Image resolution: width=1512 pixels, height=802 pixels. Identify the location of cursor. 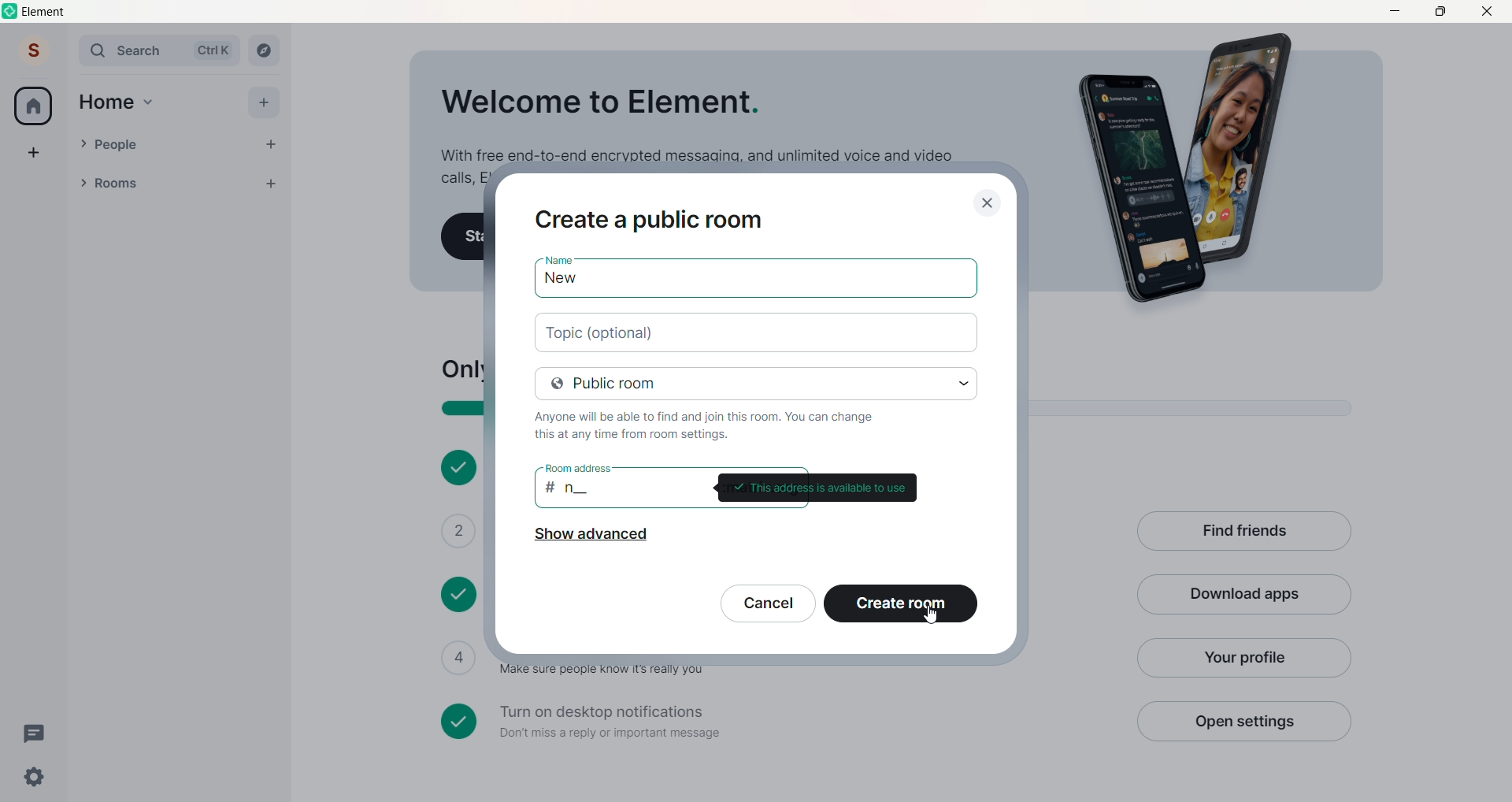
(932, 614).